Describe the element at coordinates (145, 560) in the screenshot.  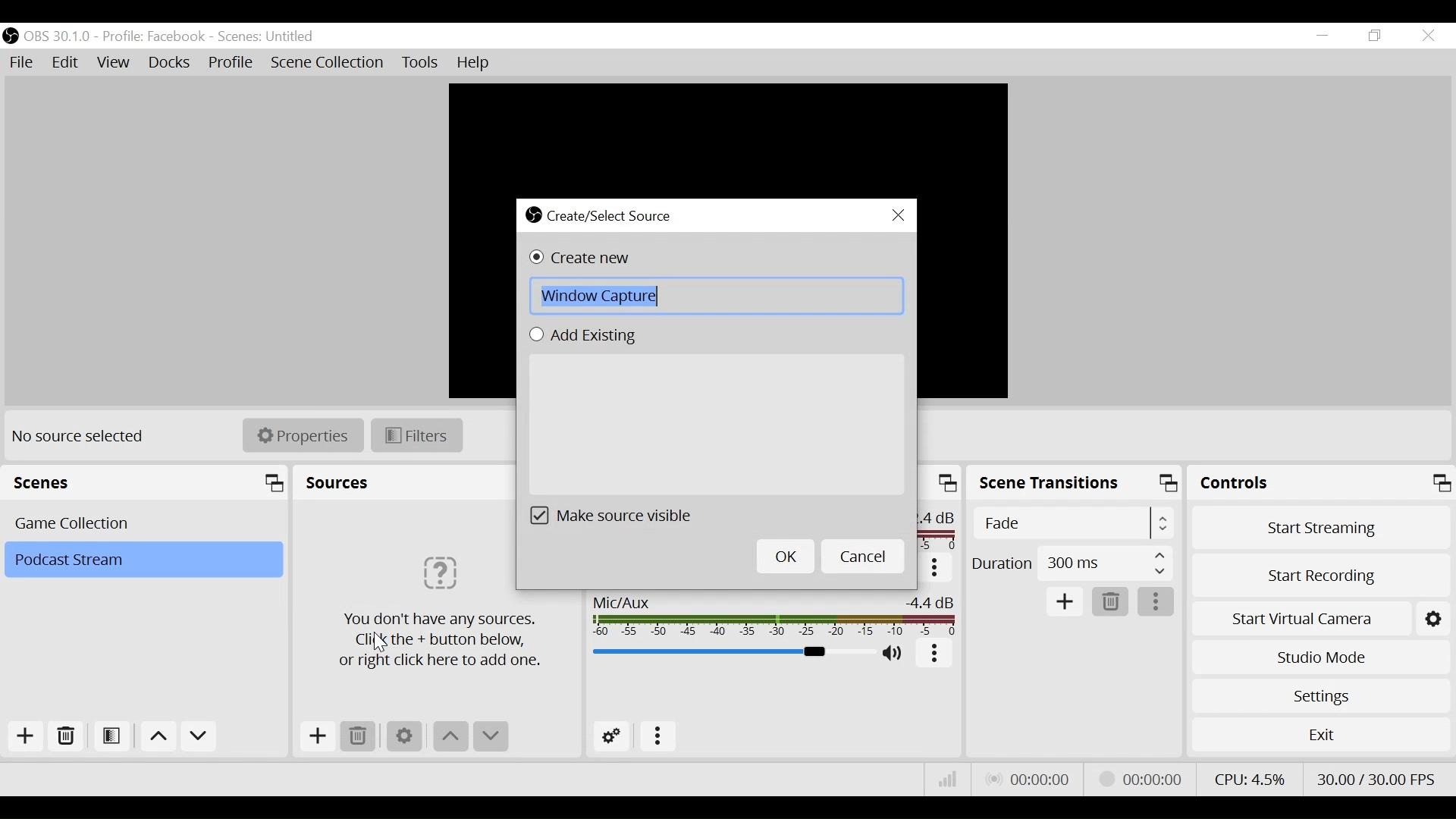
I see `Scene ` at that location.